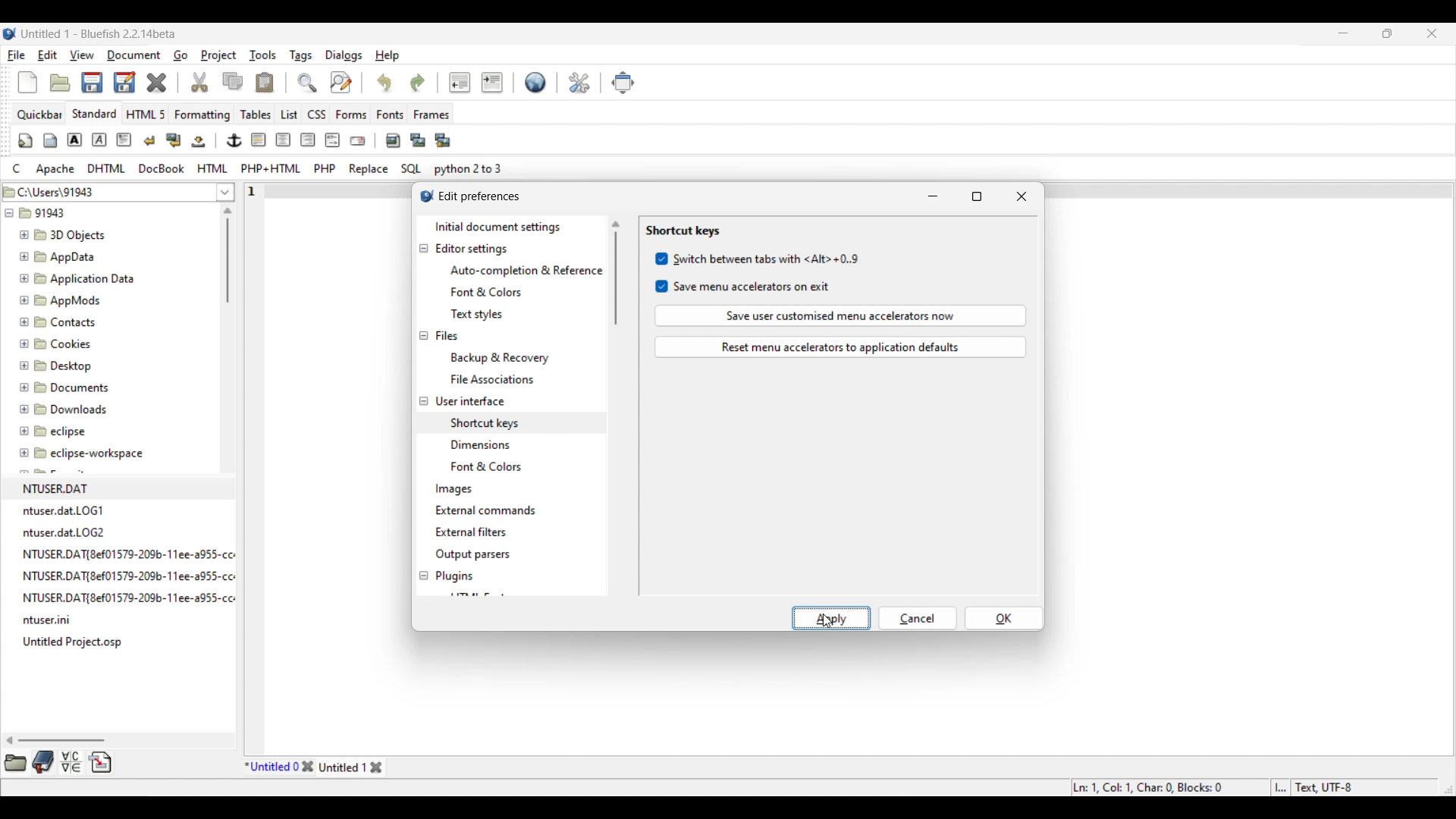 The height and width of the screenshot is (819, 1456). What do you see at coordinates (447, 336) in the screenshot?
I see `Files settings` at bounding box center [447, 336].